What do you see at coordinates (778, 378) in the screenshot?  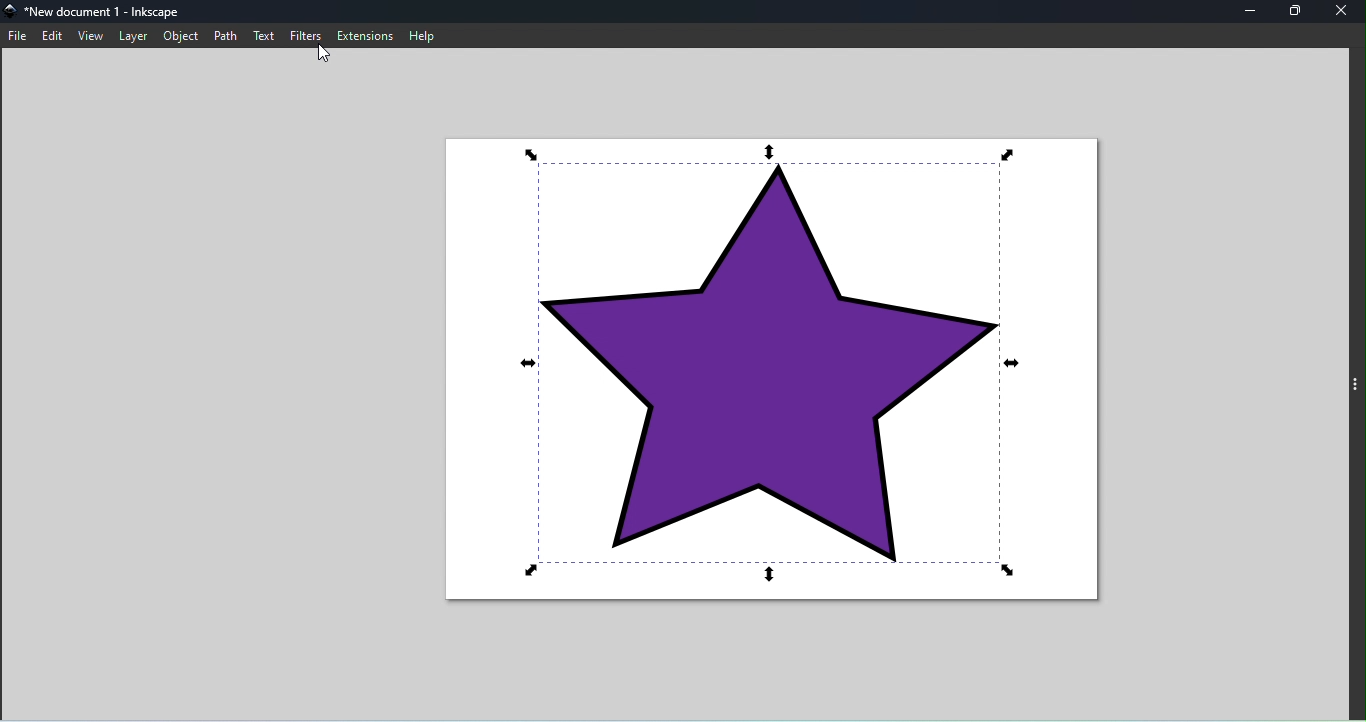 I see `Canvas` at bounding box center [778, 378].